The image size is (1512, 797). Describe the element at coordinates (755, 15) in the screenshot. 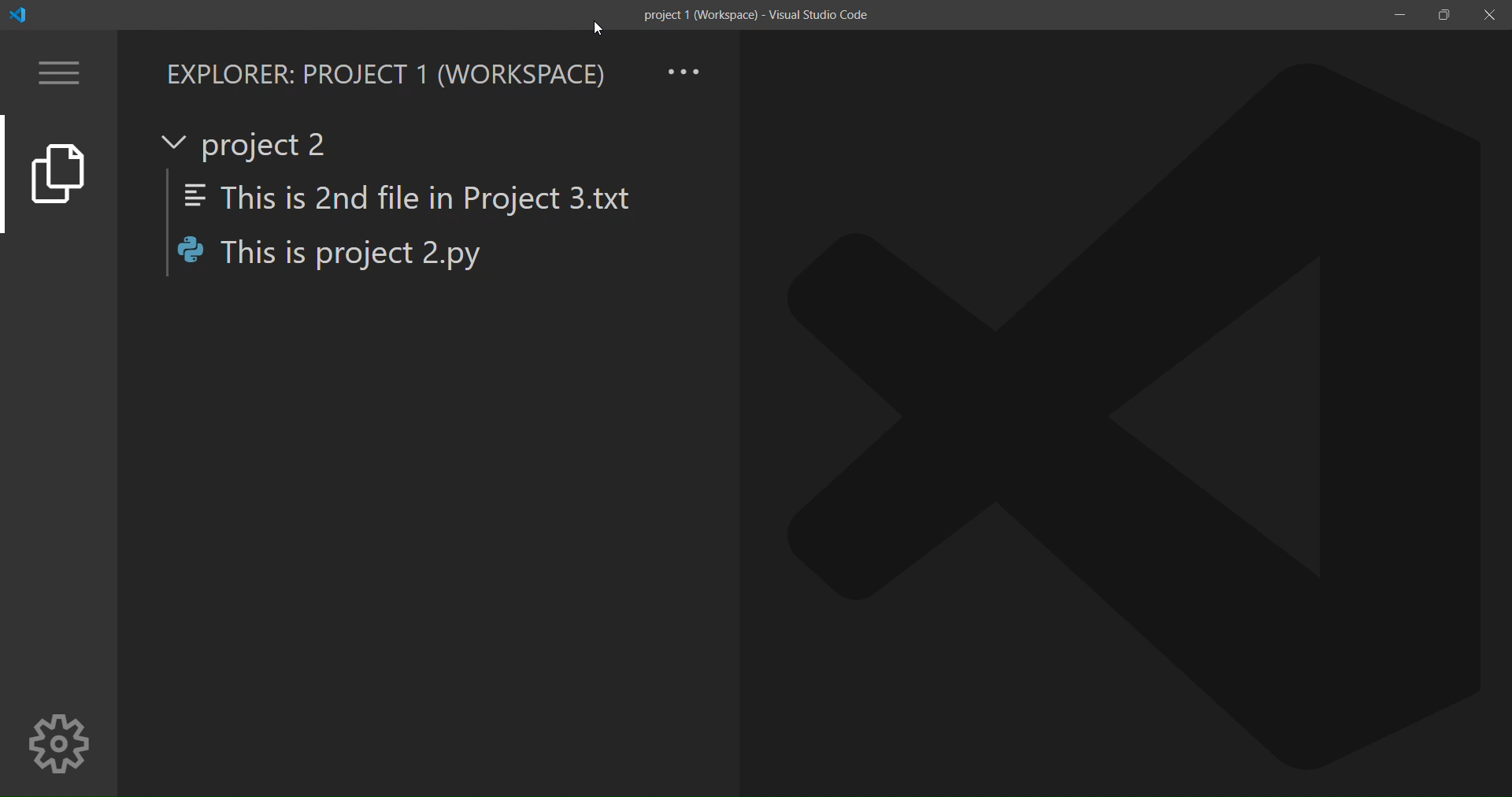

I see `title` at that location.